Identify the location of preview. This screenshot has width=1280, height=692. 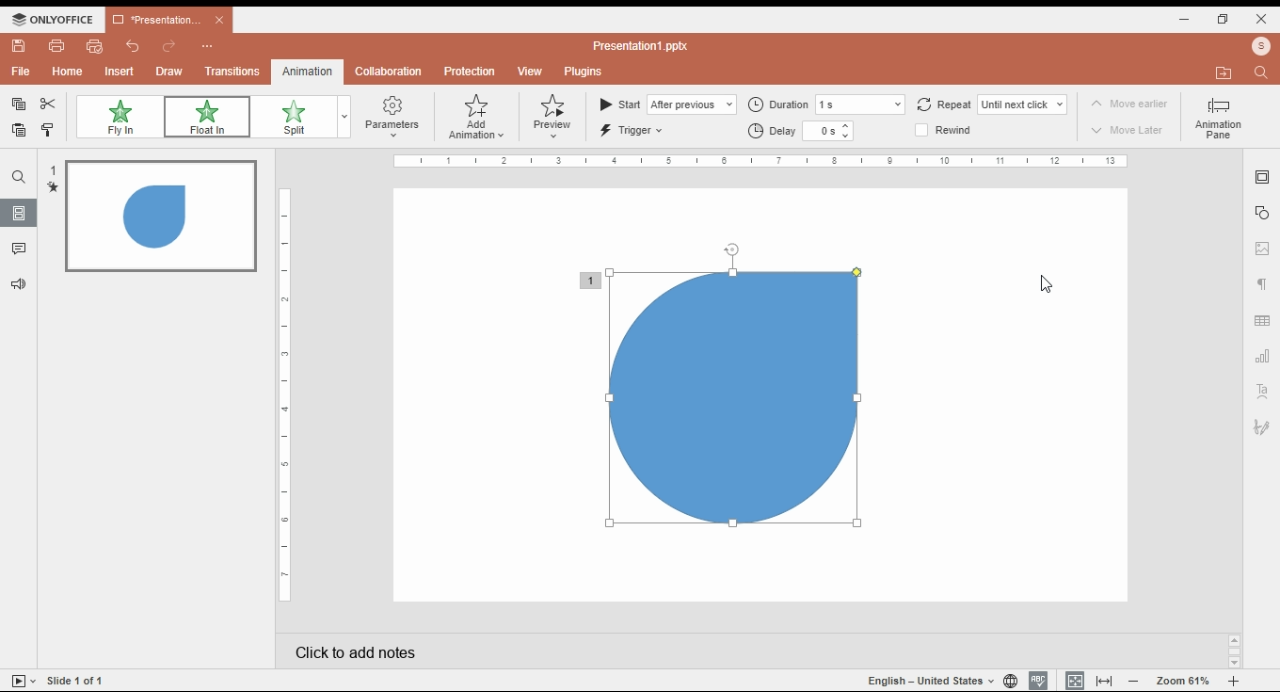
(553, 117).